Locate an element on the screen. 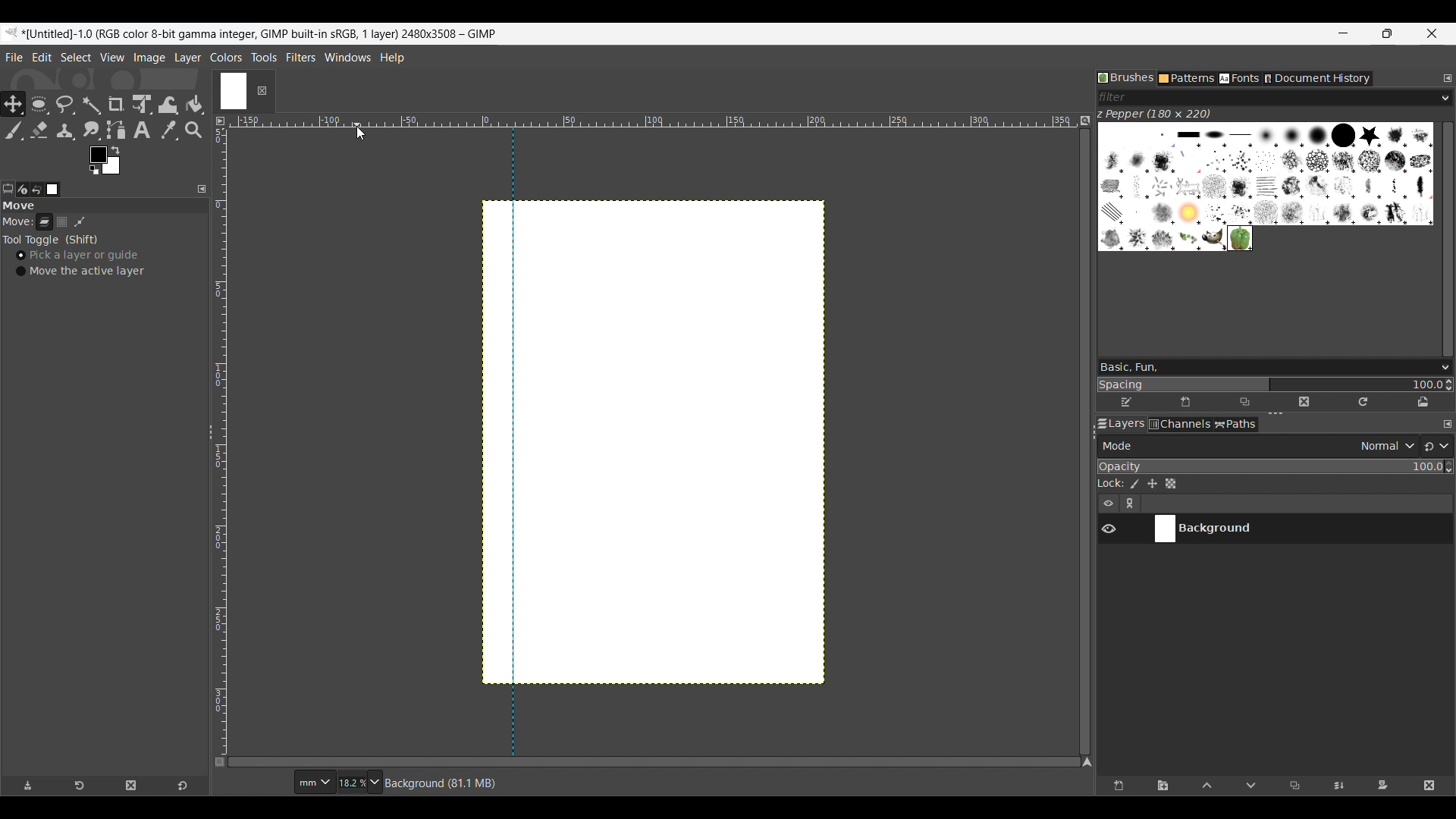 The image size is (1456, 819). Edit menu is located at coordinates (42, 57).